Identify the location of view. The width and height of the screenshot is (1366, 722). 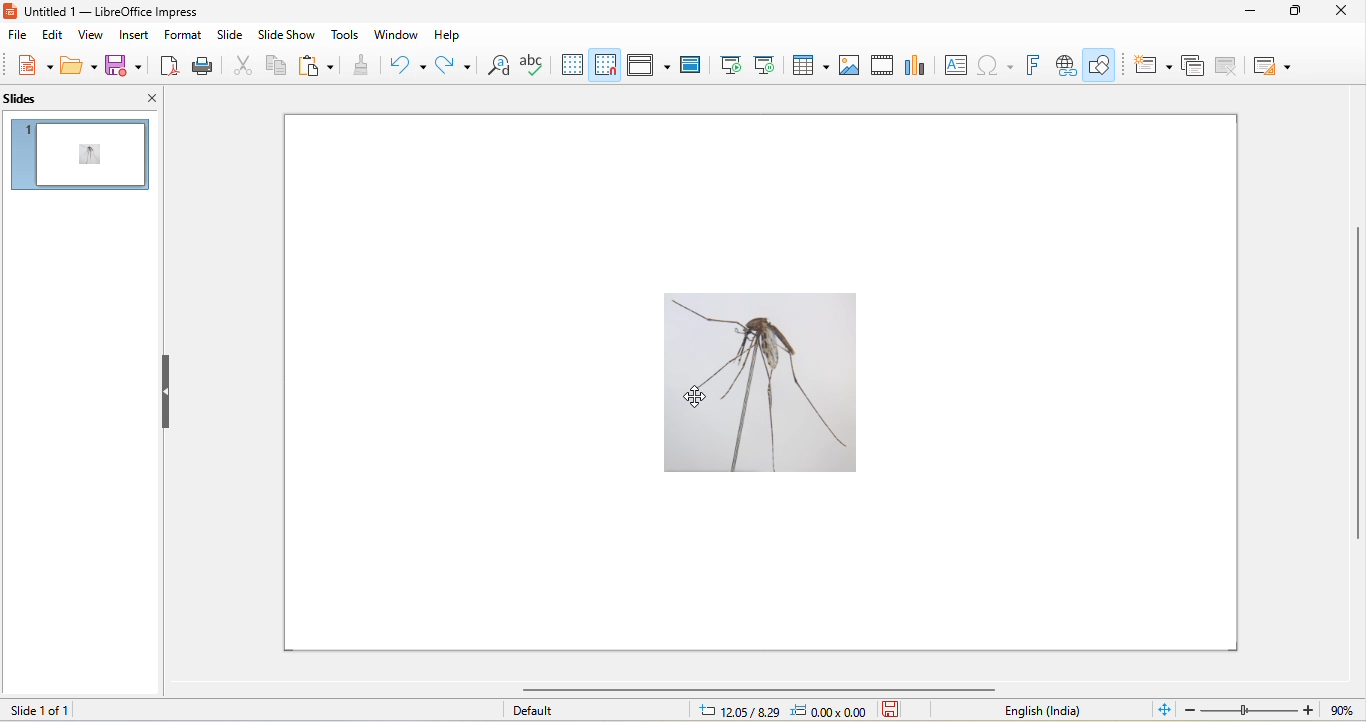
(92, 35).